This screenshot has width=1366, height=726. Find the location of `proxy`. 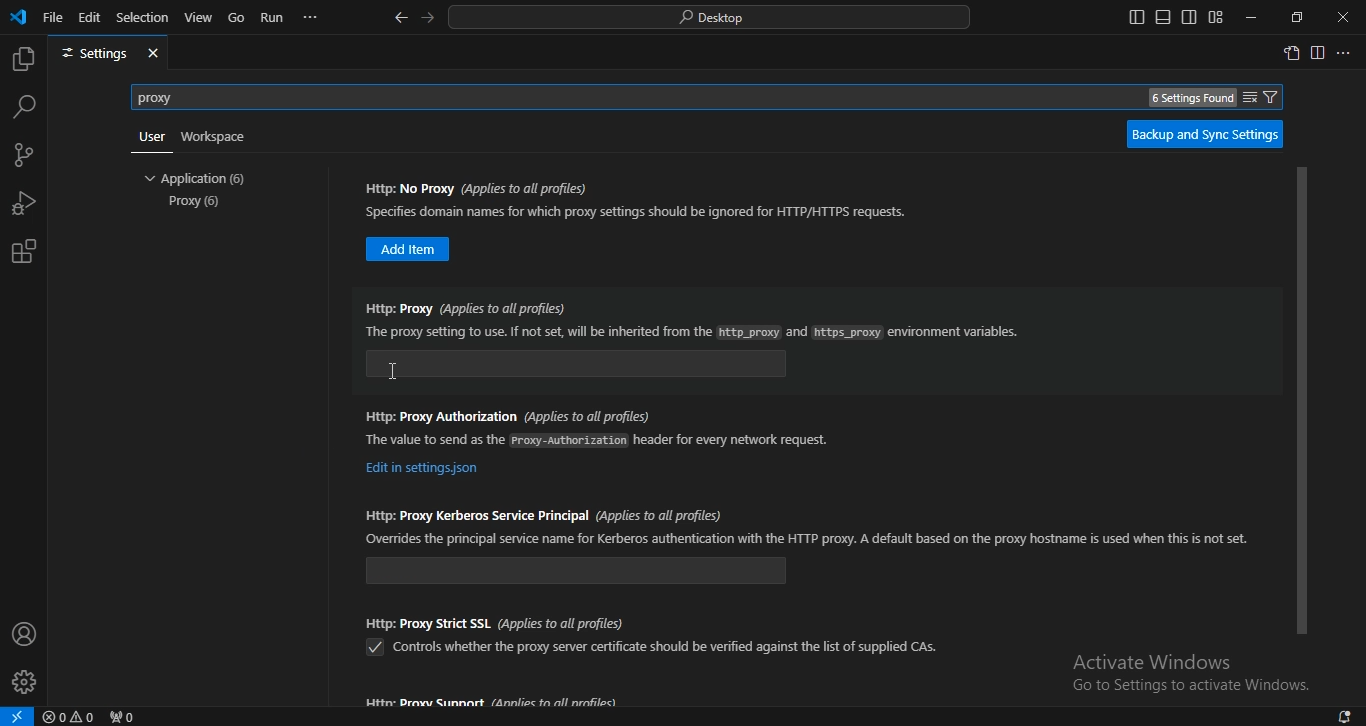

proxy is located at coordinates (170, 96).